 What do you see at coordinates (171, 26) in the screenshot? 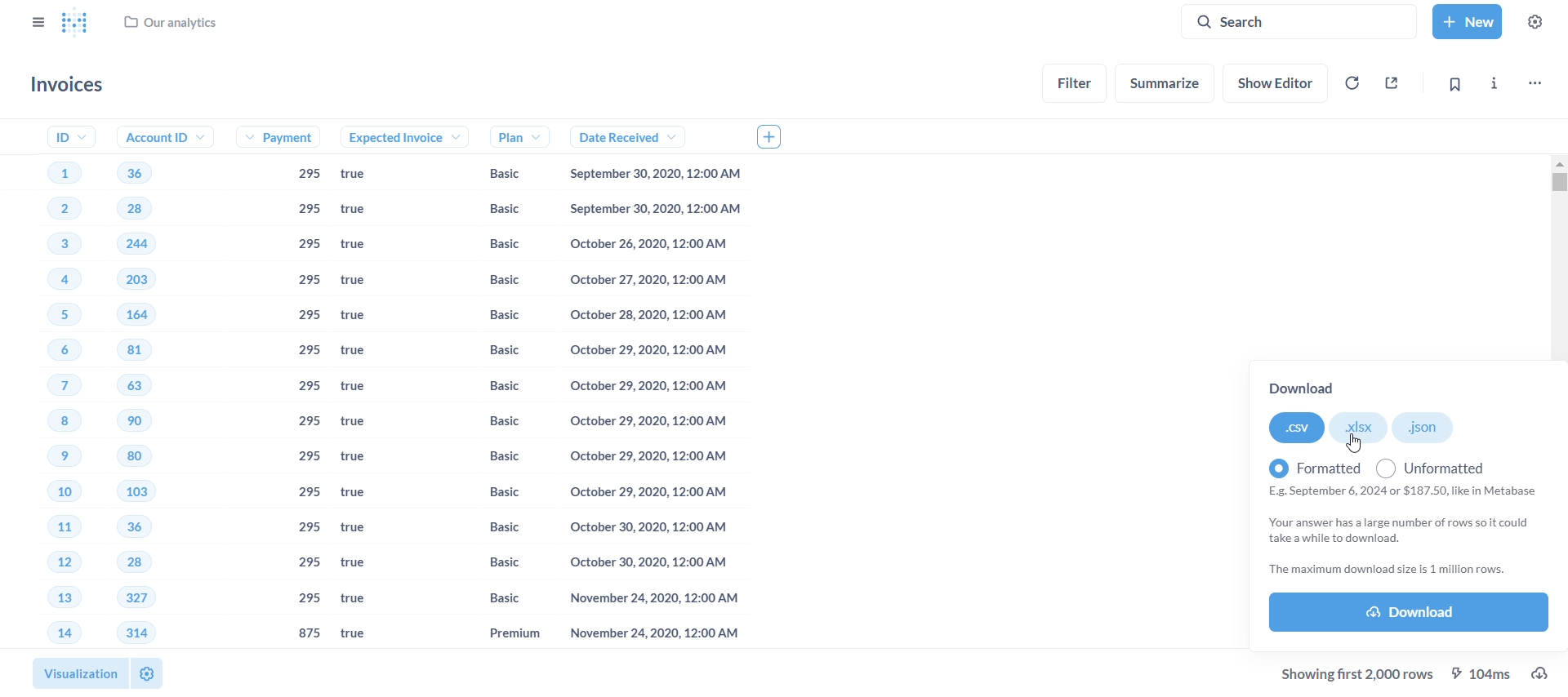
I see `our analytics` at bounding box center [171, 26].